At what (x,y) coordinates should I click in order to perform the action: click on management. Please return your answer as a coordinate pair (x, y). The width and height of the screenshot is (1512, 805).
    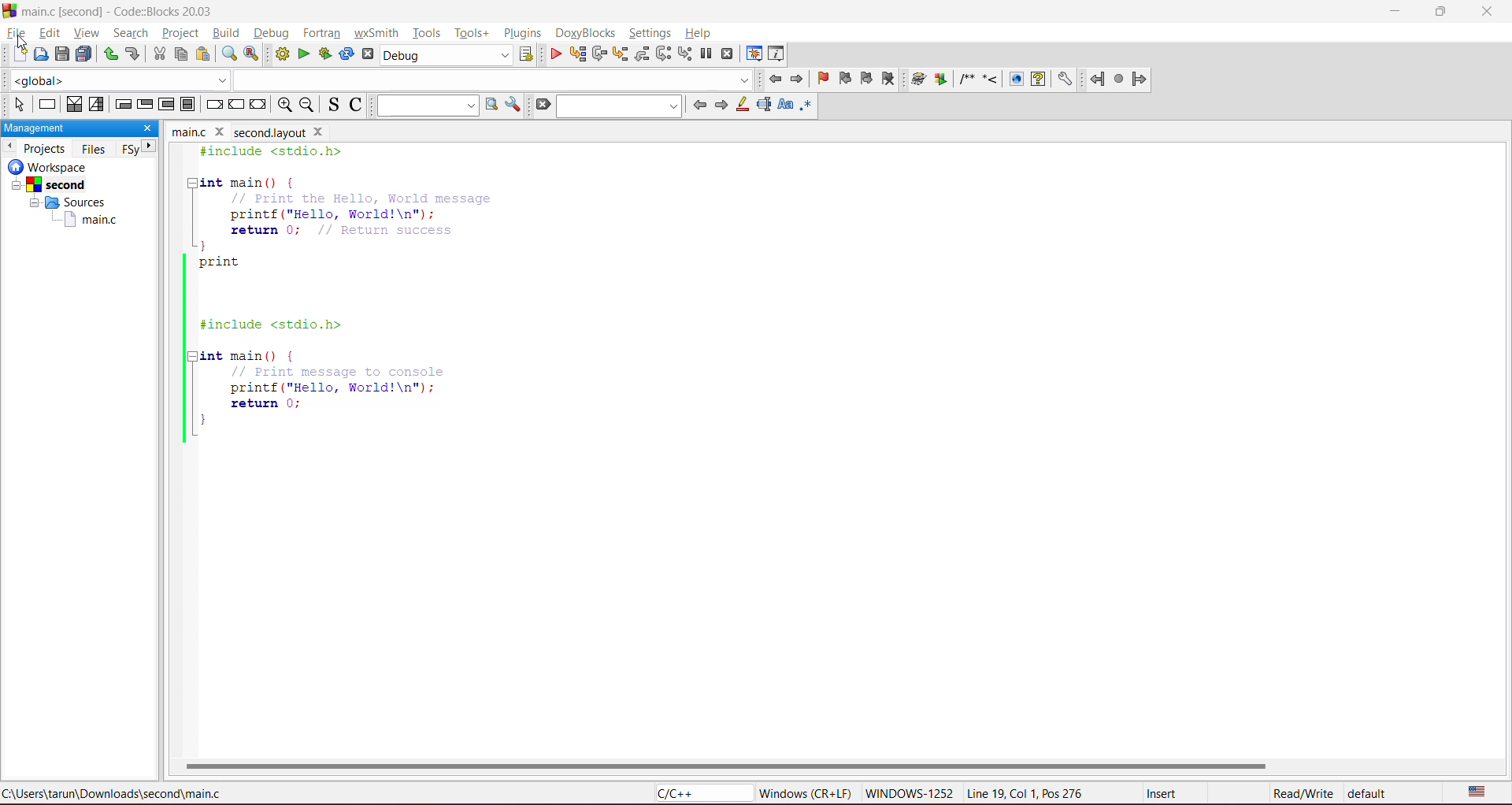
    Looking at the image, I should click on (67, 128).